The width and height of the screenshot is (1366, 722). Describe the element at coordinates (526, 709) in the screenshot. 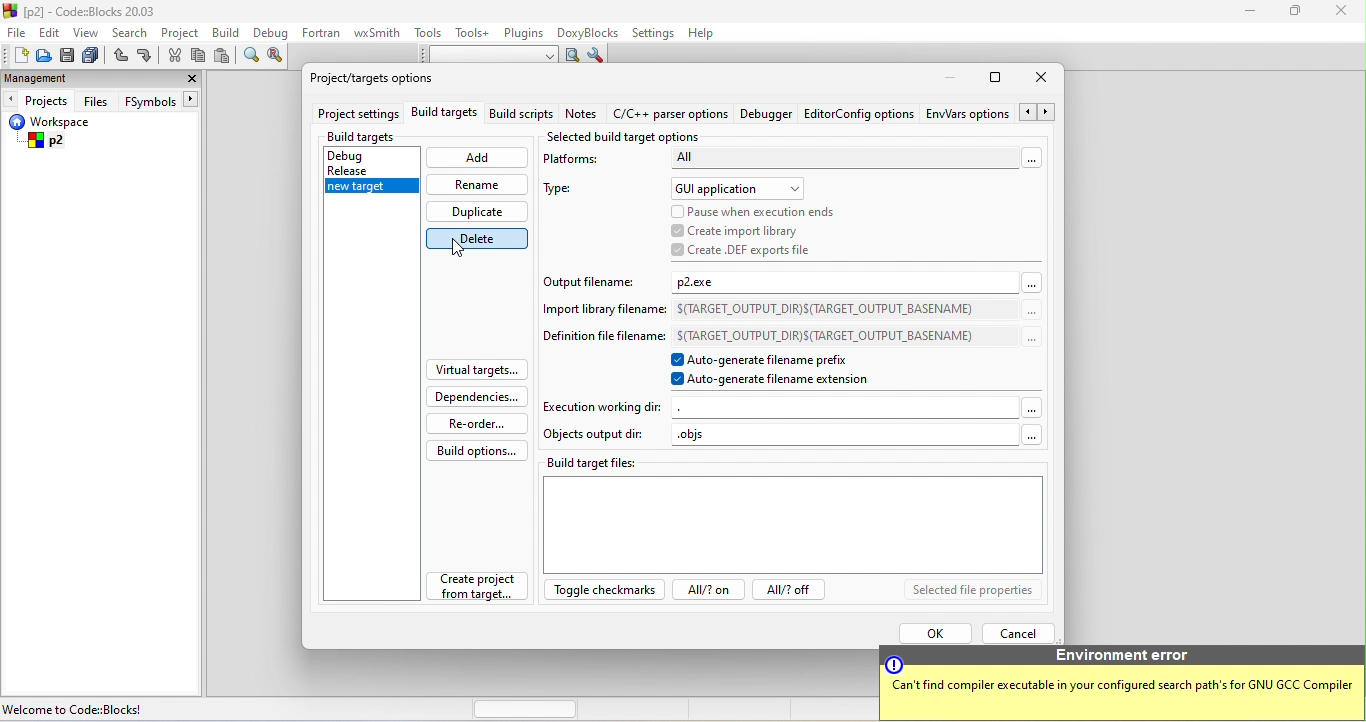

I see `horizontal scroll bar` at that location.